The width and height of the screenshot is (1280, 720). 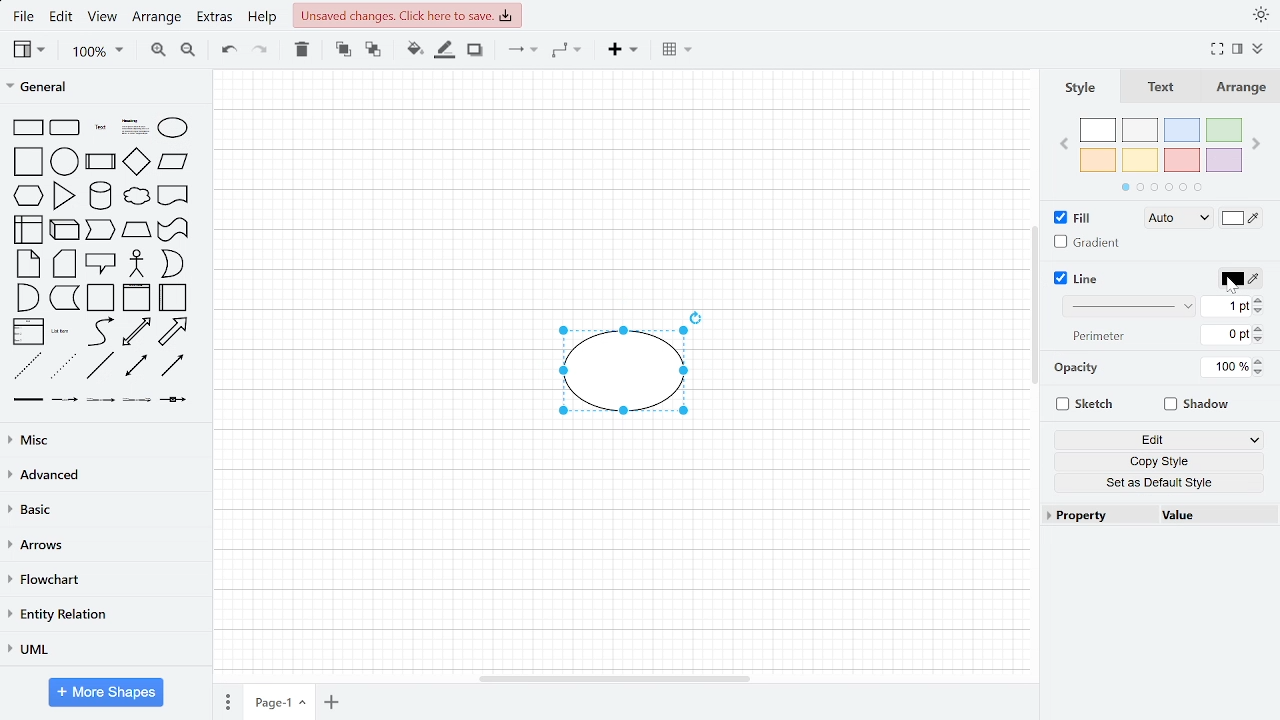 I want to click on rotate diagram, so click(x=698, y=319).